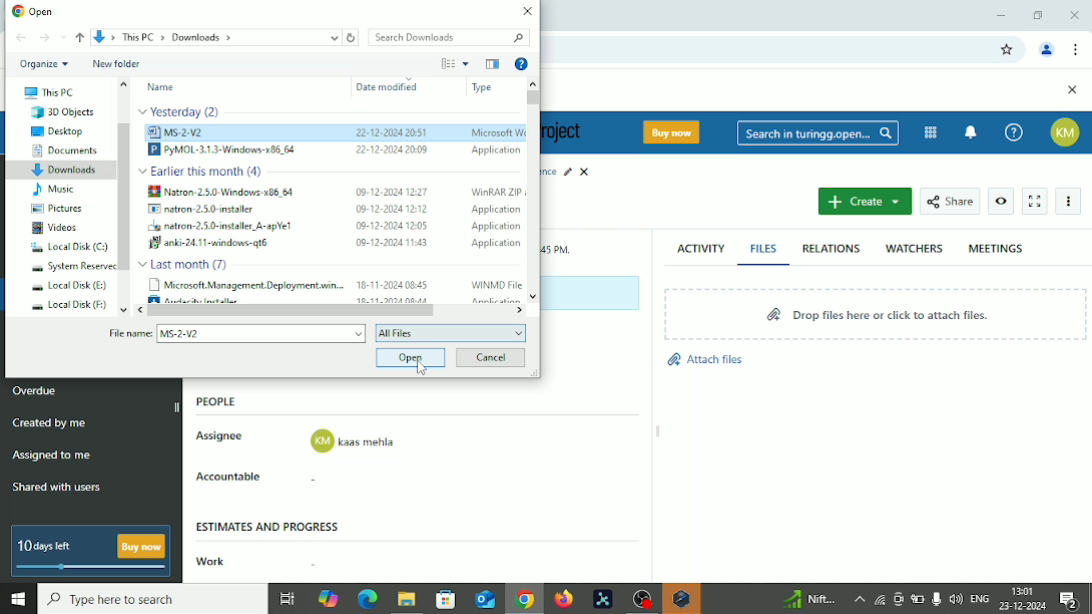 The height and width of the screenshot is (614, 1092). What do you see at coordinates (1069, 132) in the screenshot?
I see `Account` at bounding box center [1069, 132].